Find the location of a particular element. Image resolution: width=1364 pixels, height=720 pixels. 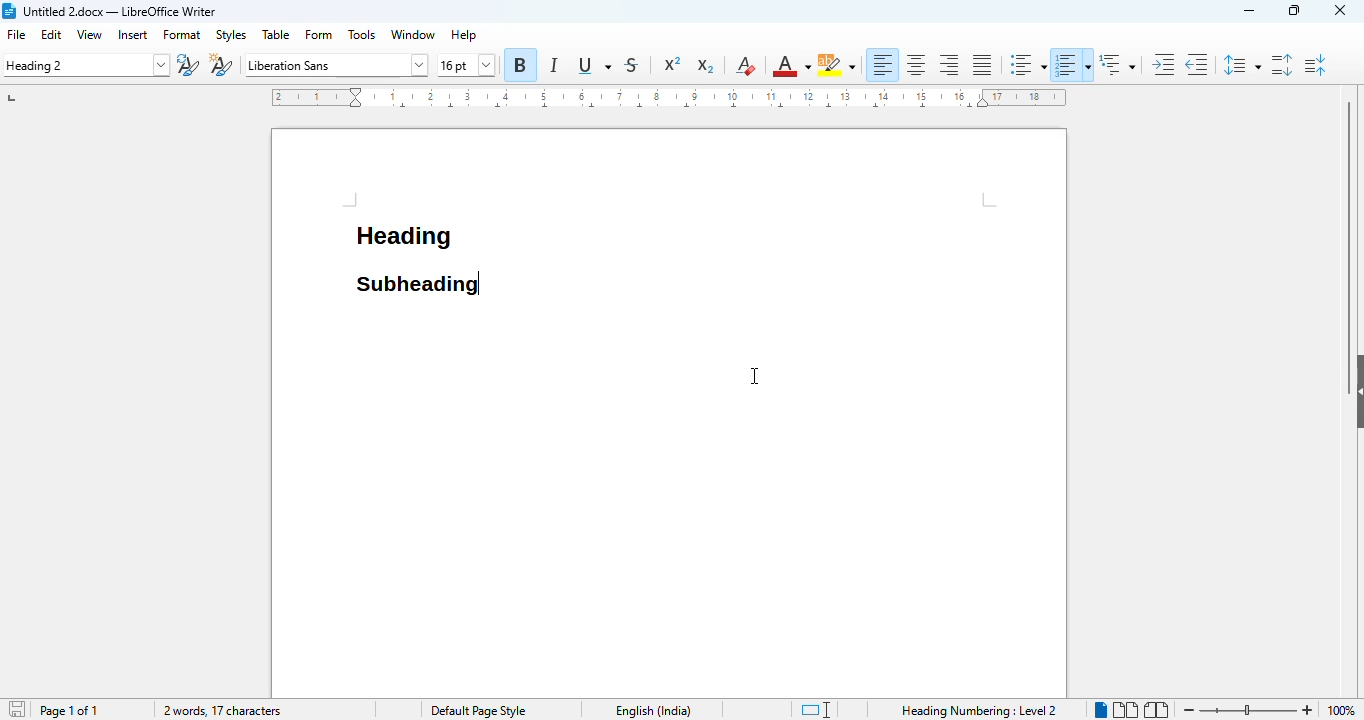

styles is located at coordinates (232, 35).